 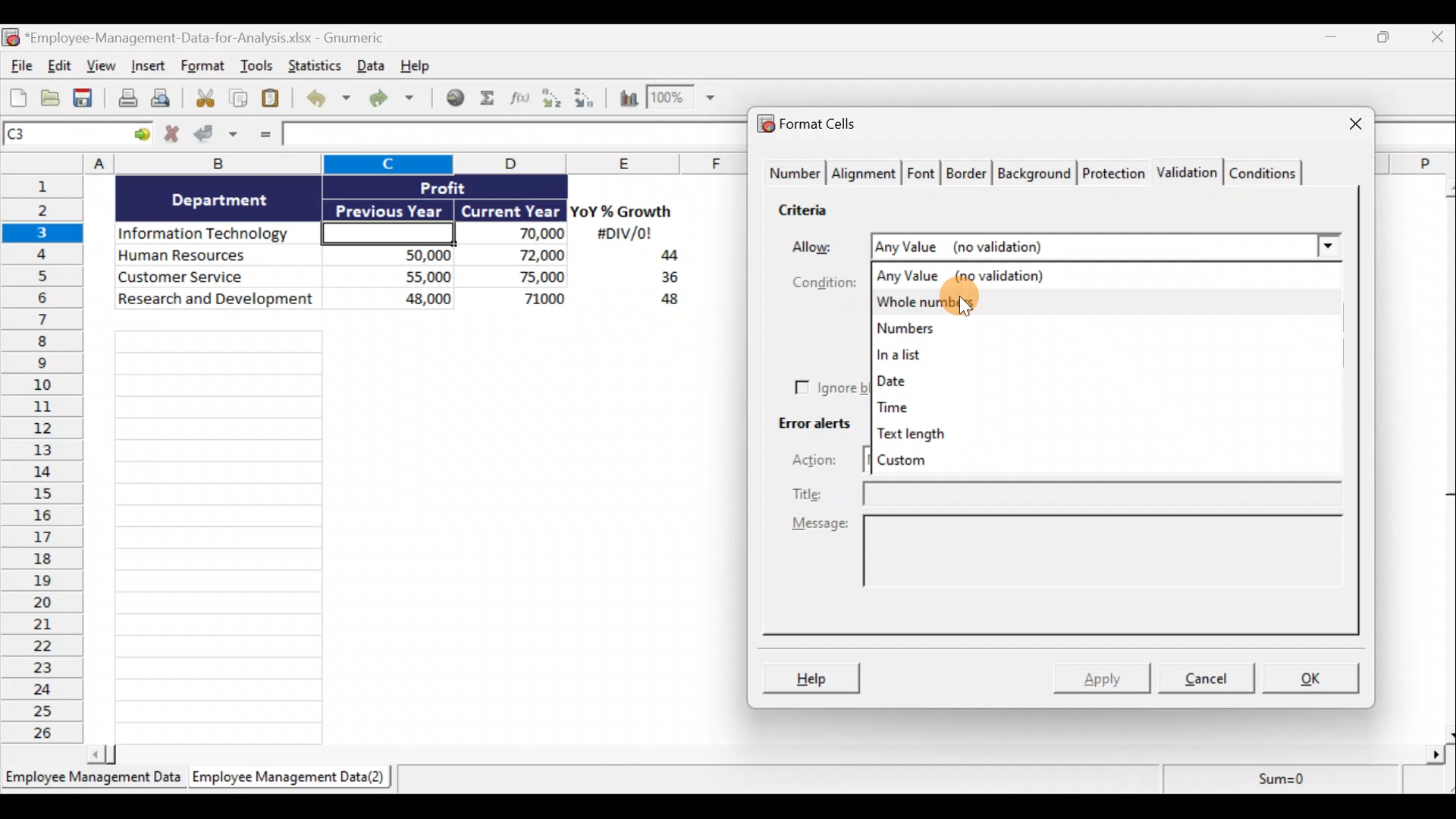 I want to click on Help, so click(x=814, y=676).